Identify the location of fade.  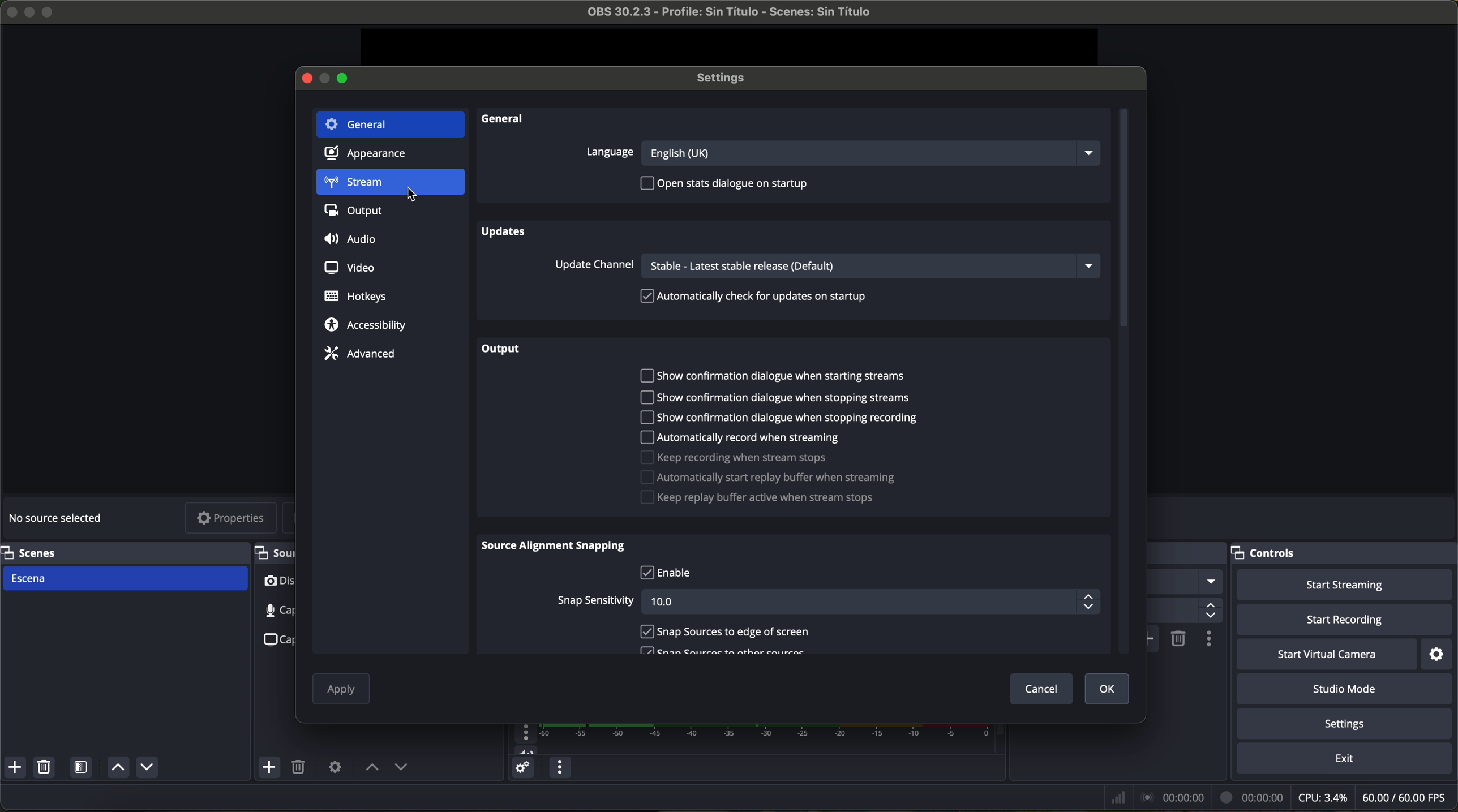
(1185, 582).